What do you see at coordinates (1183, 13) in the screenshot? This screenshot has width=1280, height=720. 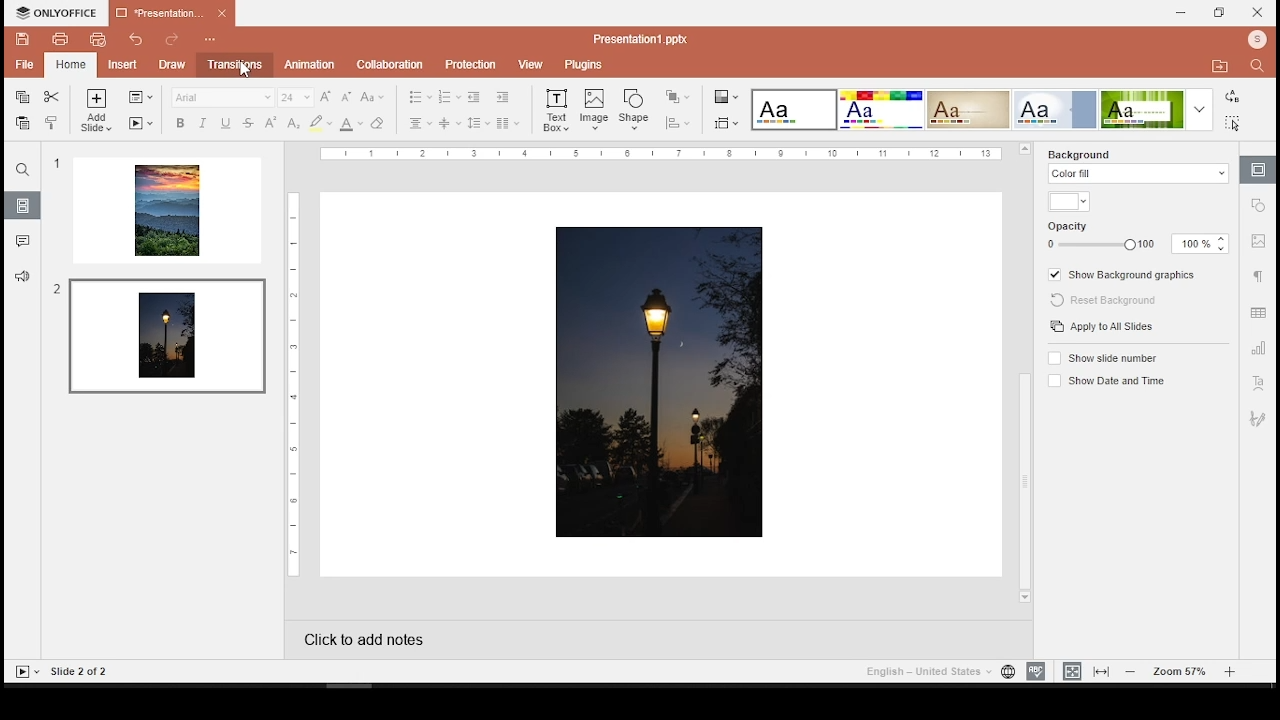 I see `minimize` at bounding box center [1183, 13].